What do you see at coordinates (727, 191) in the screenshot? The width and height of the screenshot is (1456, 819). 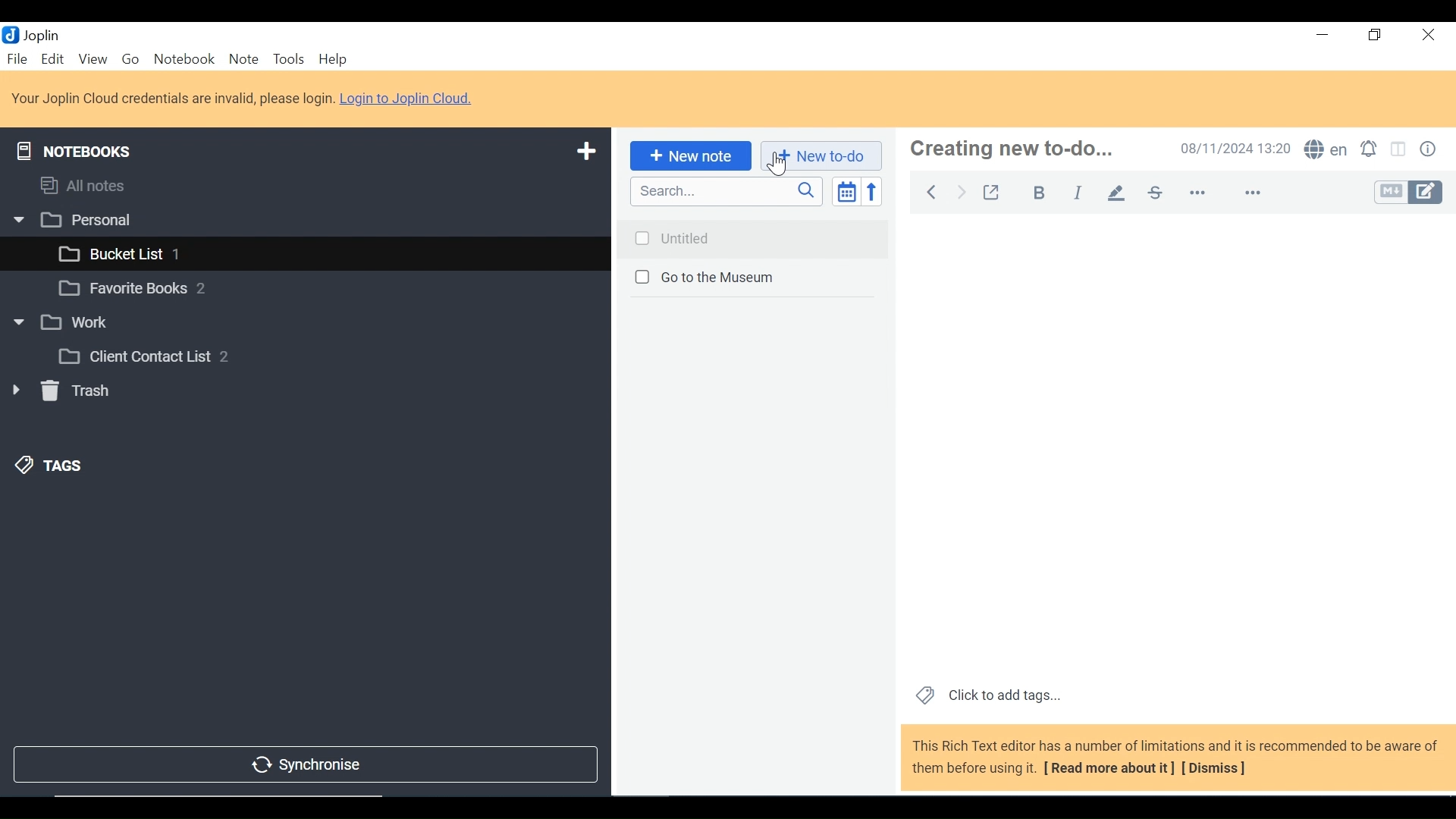 I see `SEARCH` at bounding box center [727, 191].